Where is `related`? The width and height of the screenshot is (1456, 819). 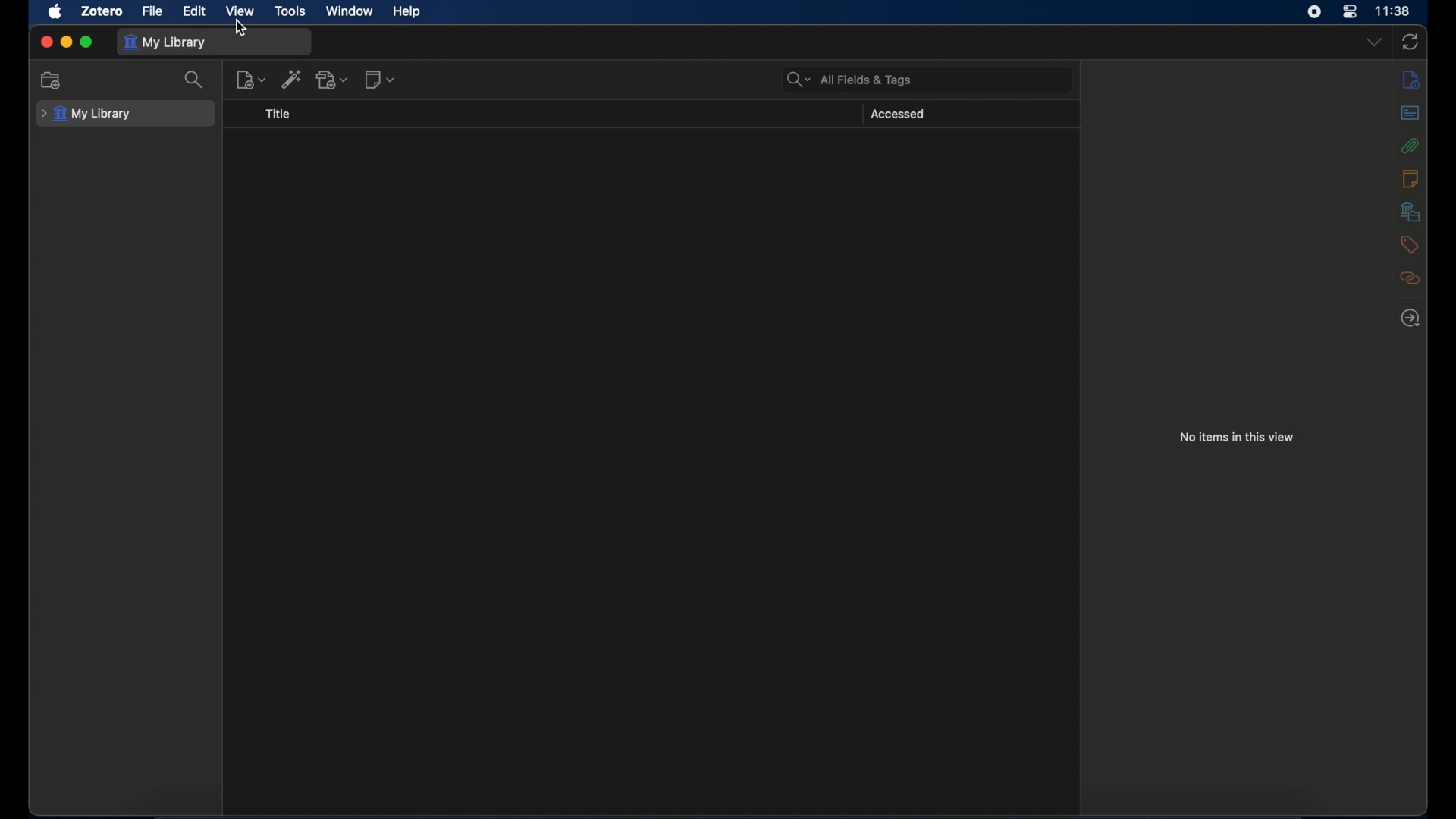
related is located at coordinates (1409, 278).